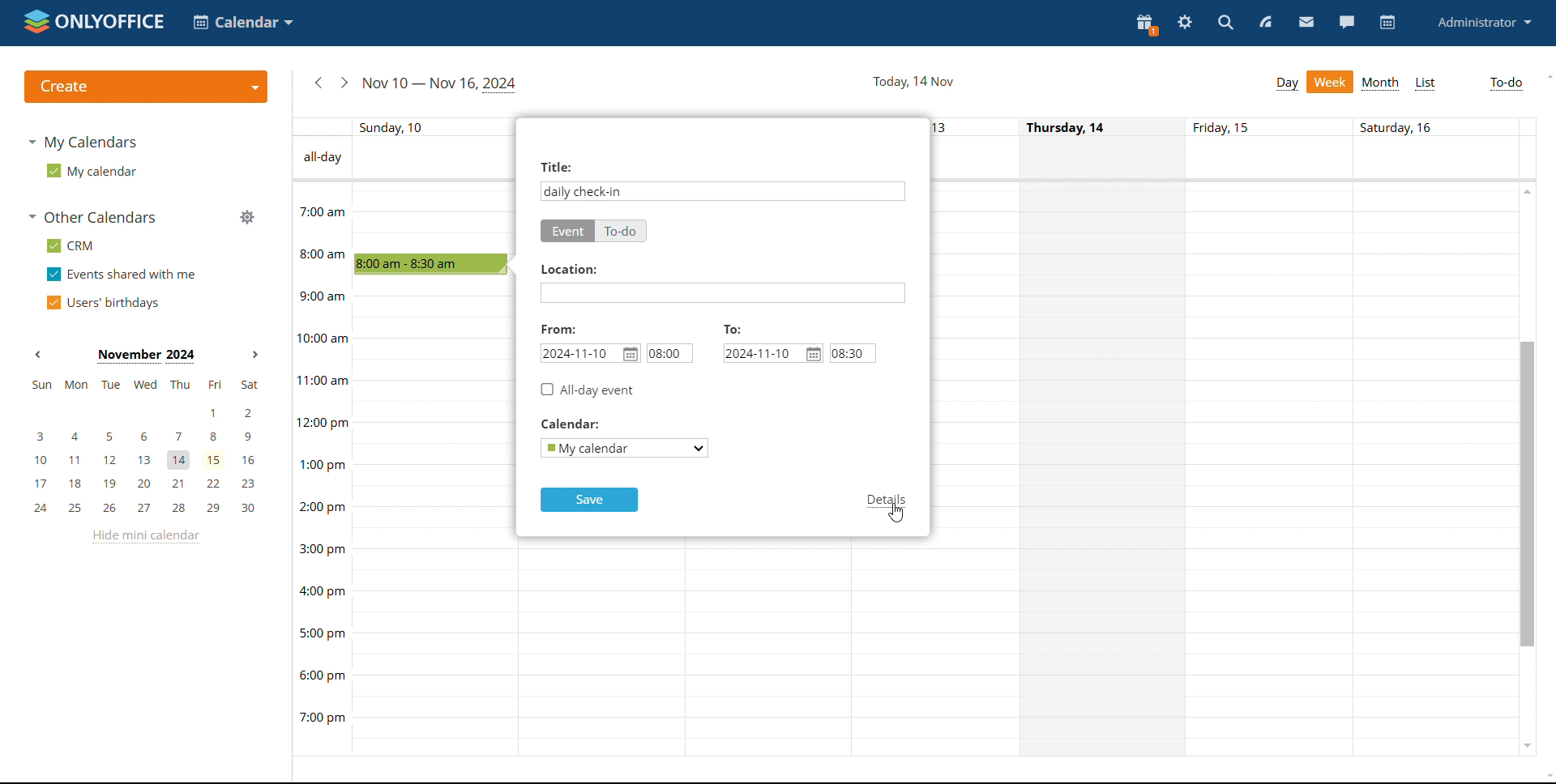 This screenshot has width=1556, height=784. I want to click on end date, so click(772, 352).